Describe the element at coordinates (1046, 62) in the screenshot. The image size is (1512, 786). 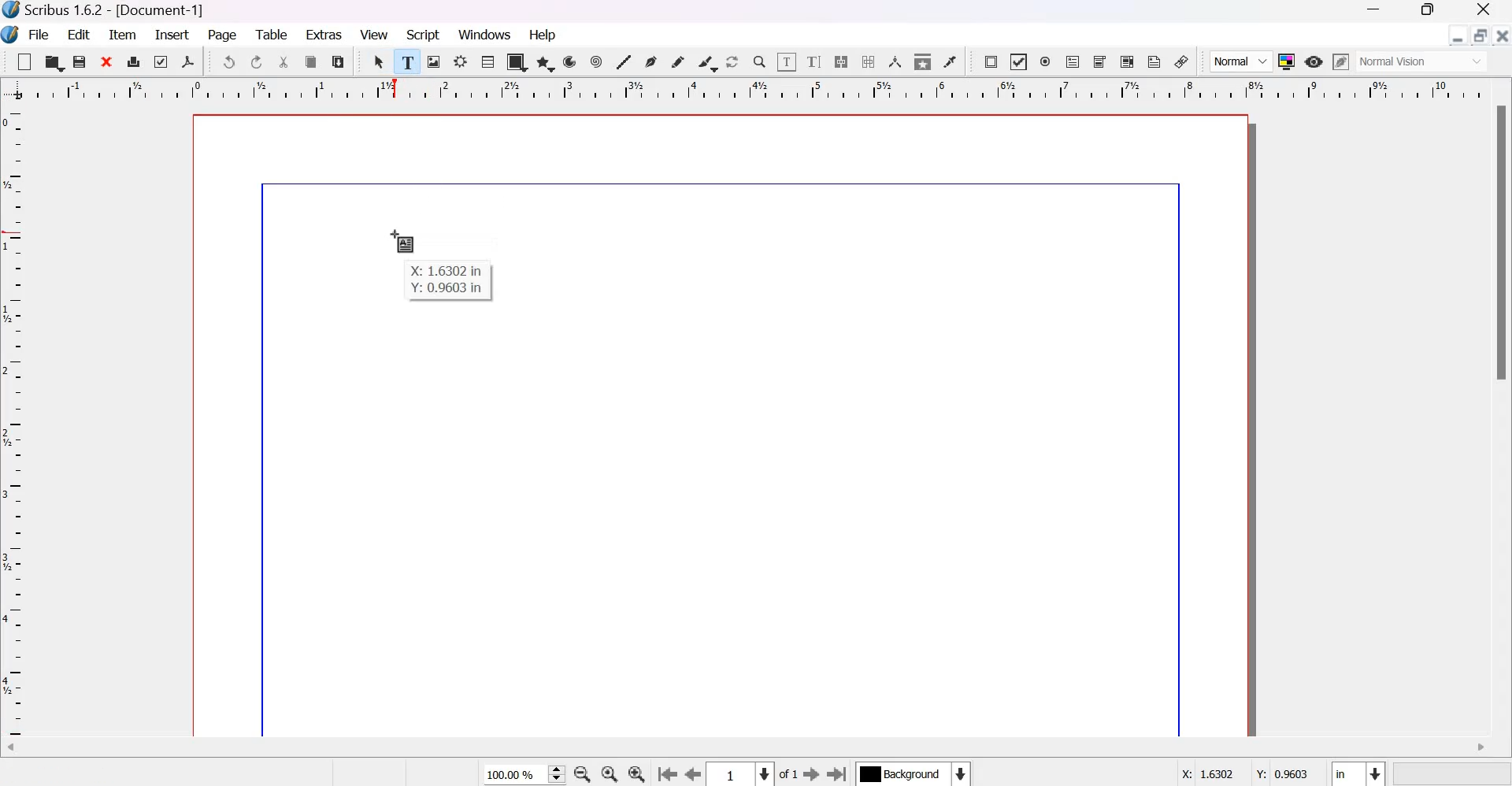
I see `PDF radio button` at that location.